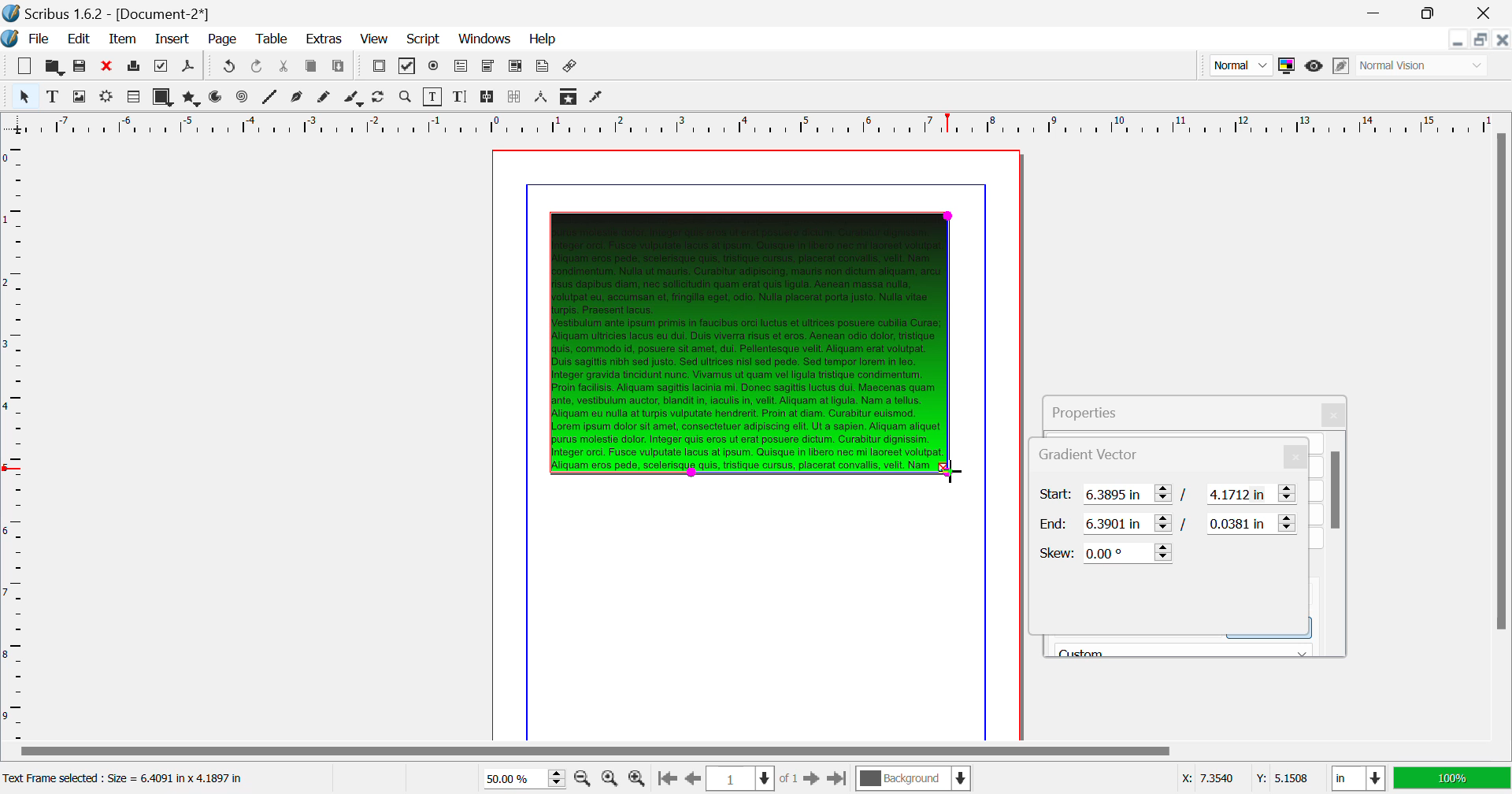  I want to click on Vertical Page Margin, so click(780, 123).